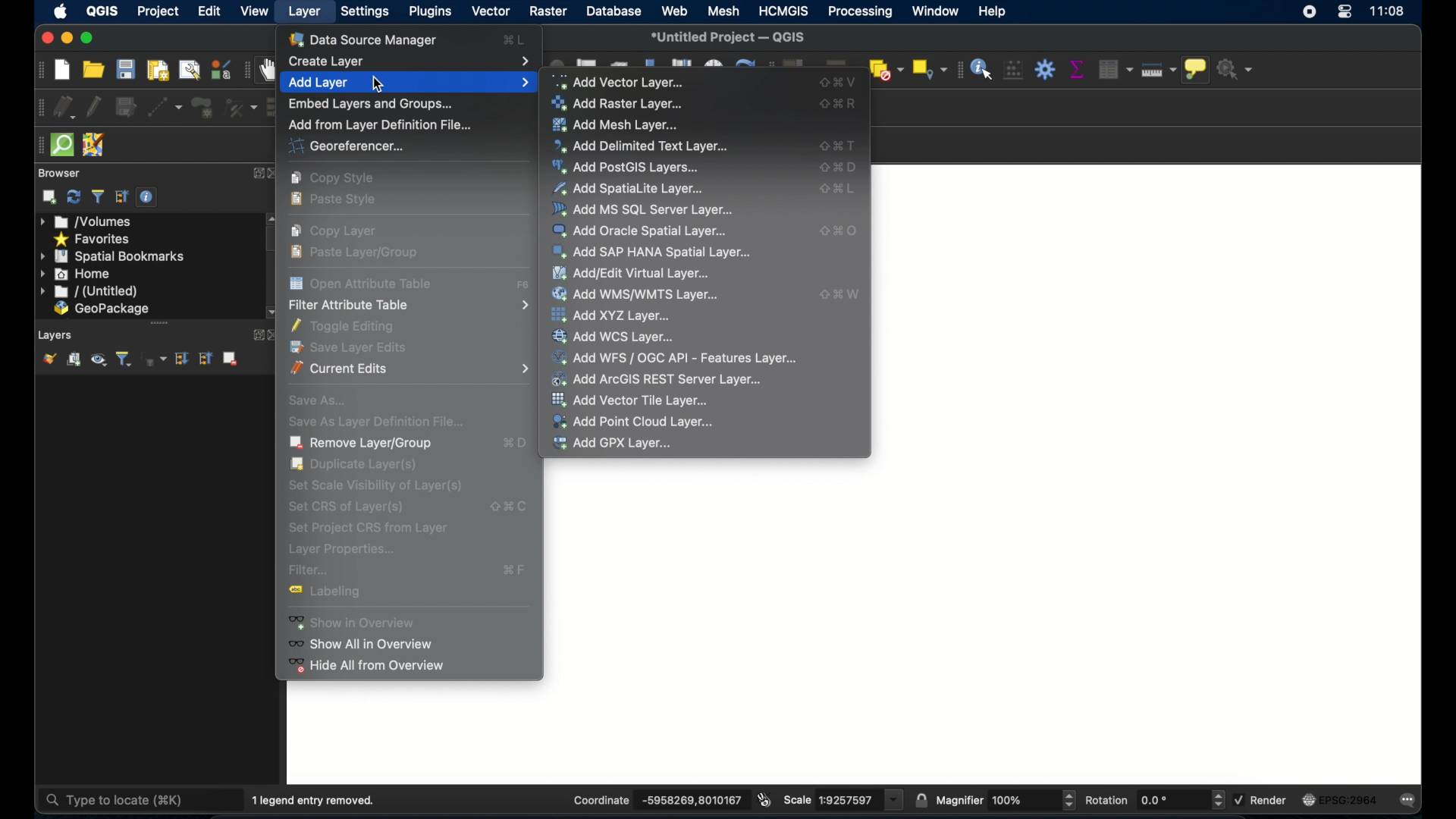 Image resolution: width=1456 pixels, height=819 pixels. I want to click on messages, so click(1412, 799).